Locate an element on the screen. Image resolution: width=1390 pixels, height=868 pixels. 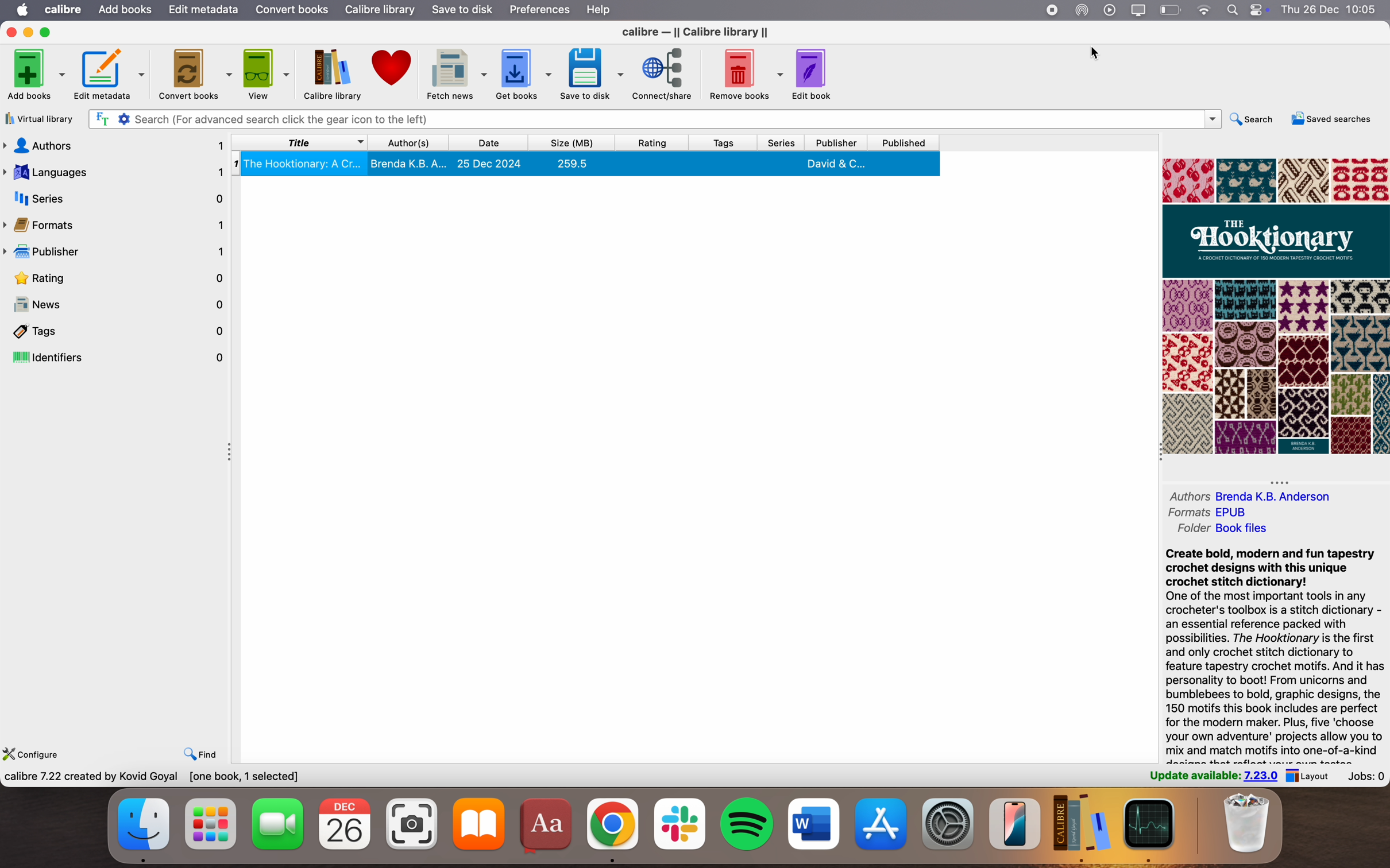
trash is located at coordinates (1248, 822).